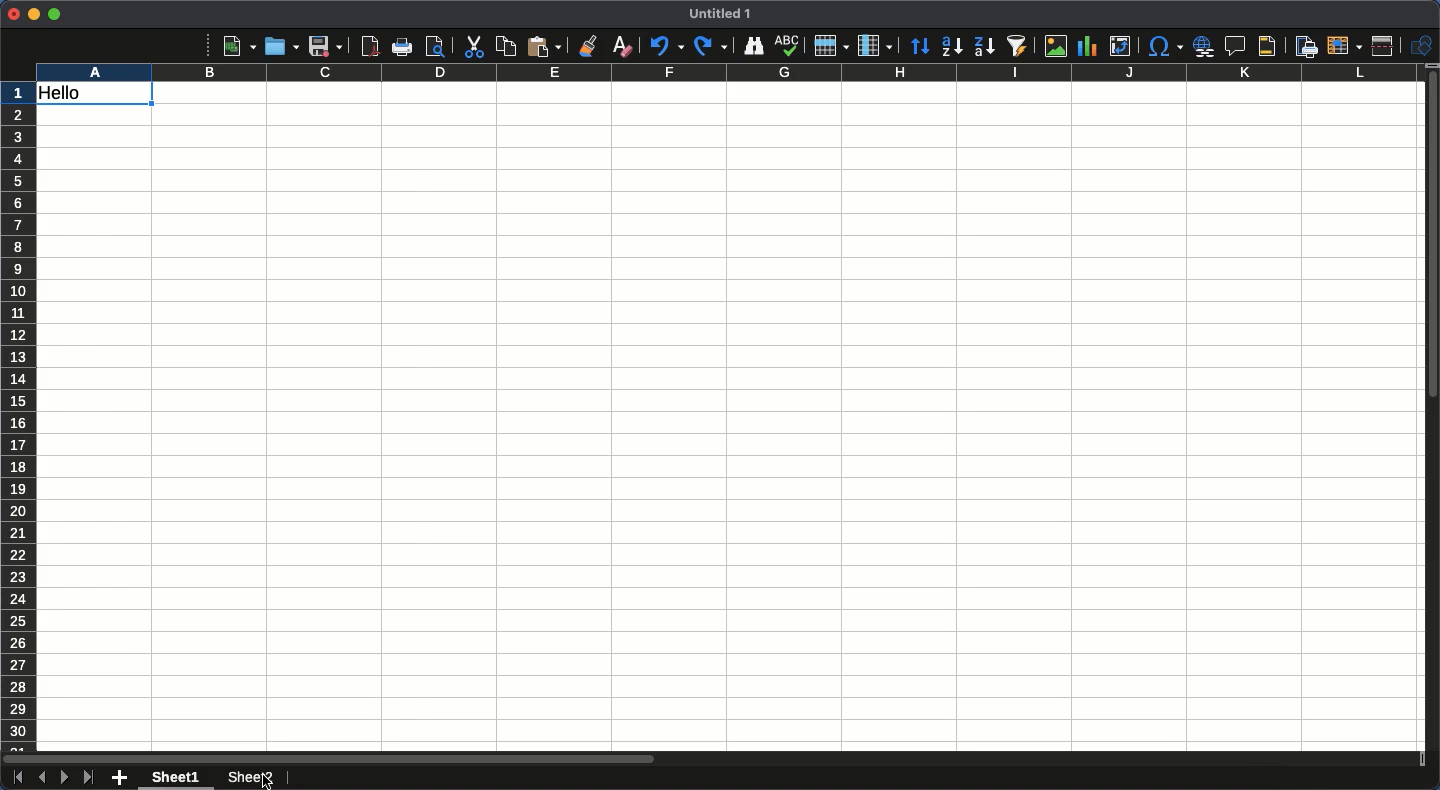 The image size is (1440, 790). Describe the element at coordinates (723, 13) in the screenshot. I see `Name` at that location.